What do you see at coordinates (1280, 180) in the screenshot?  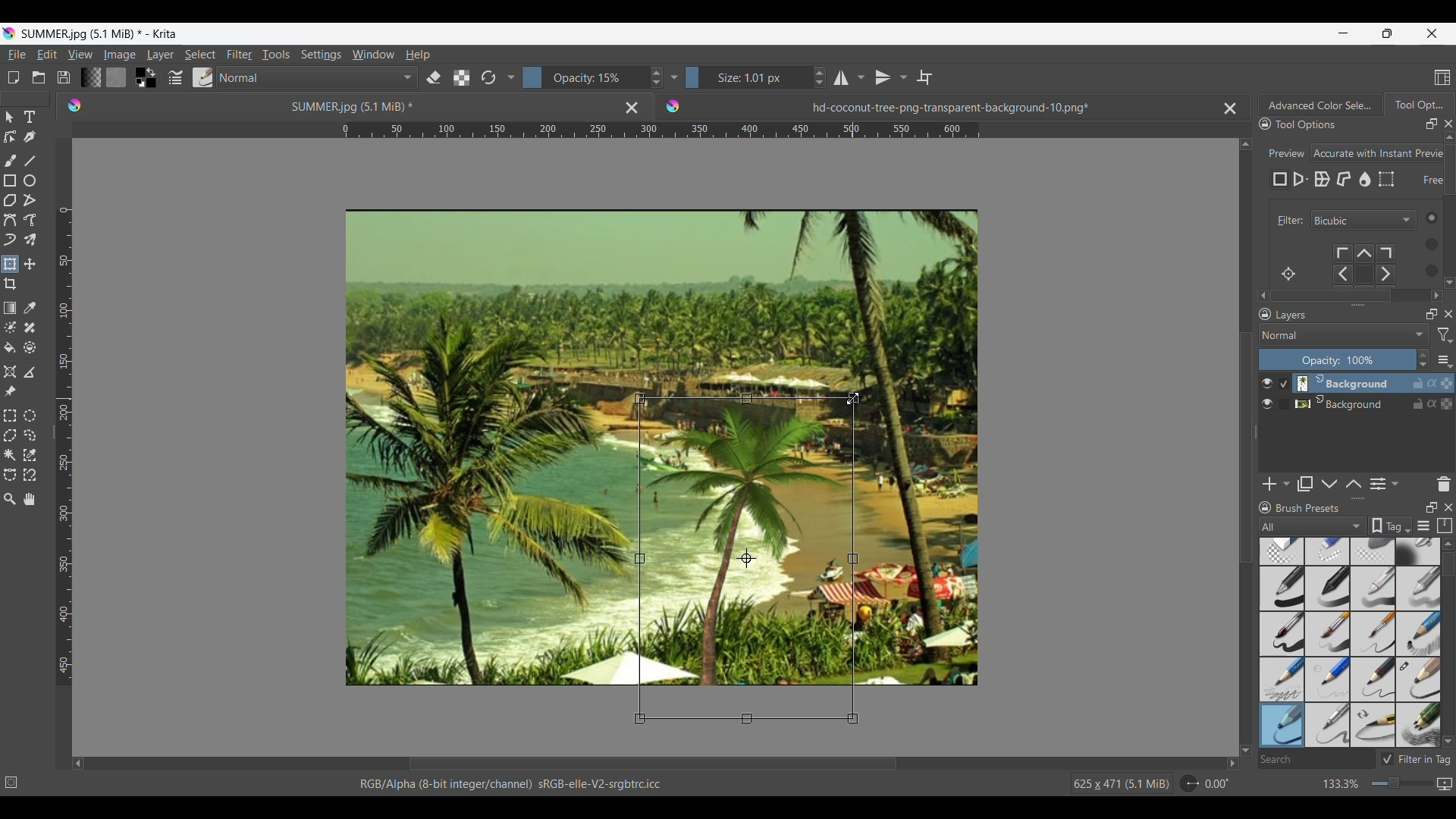 I see `Free` at bounding box center [1280, 180].